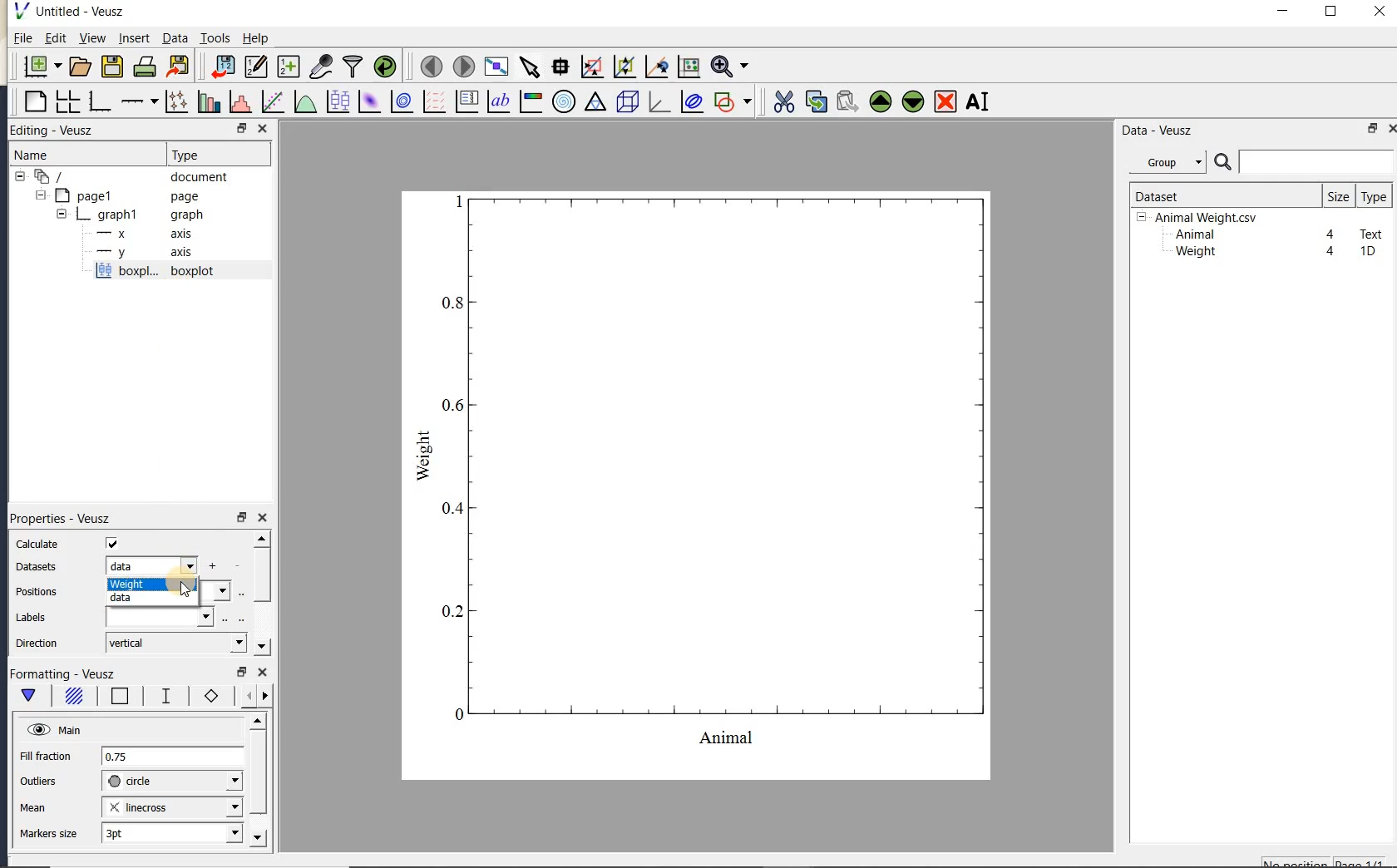 This screenshot has width=1397, height=868. I want to click on close, so click(1391, 129).